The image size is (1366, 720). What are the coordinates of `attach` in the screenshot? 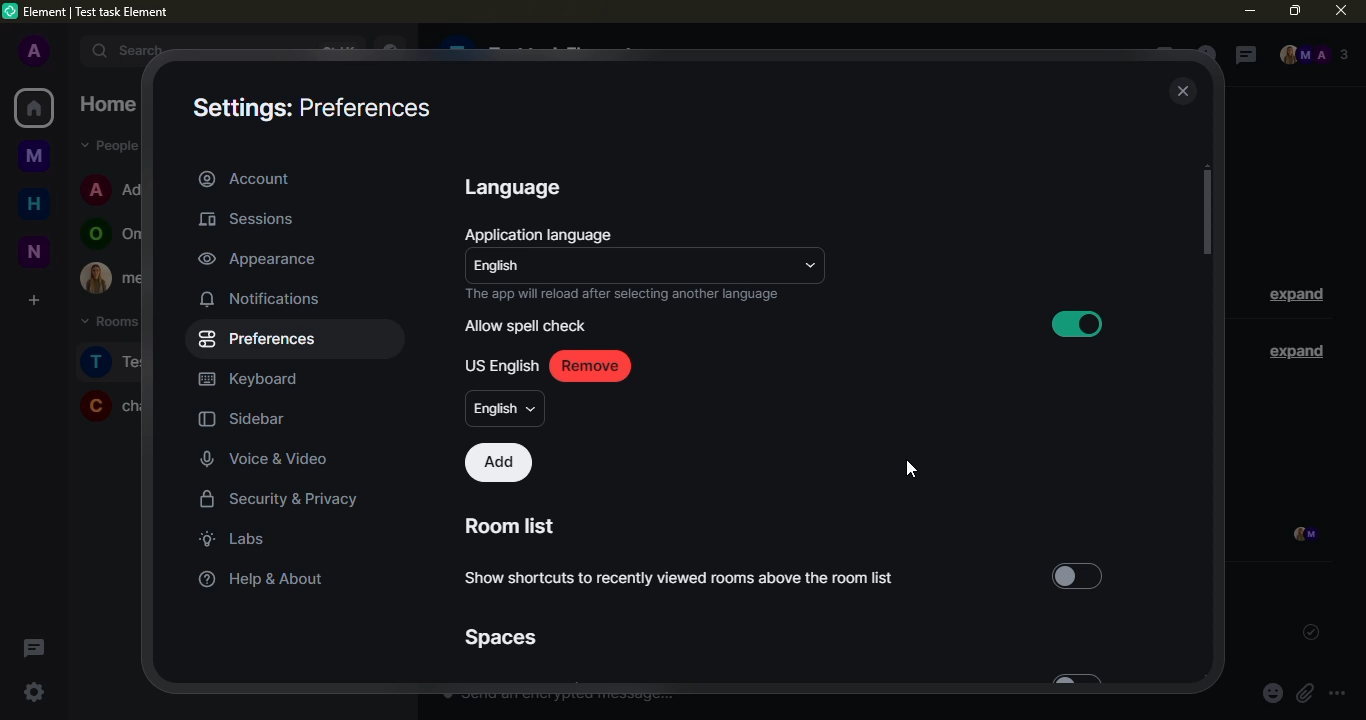 It's located at (1304, 694).